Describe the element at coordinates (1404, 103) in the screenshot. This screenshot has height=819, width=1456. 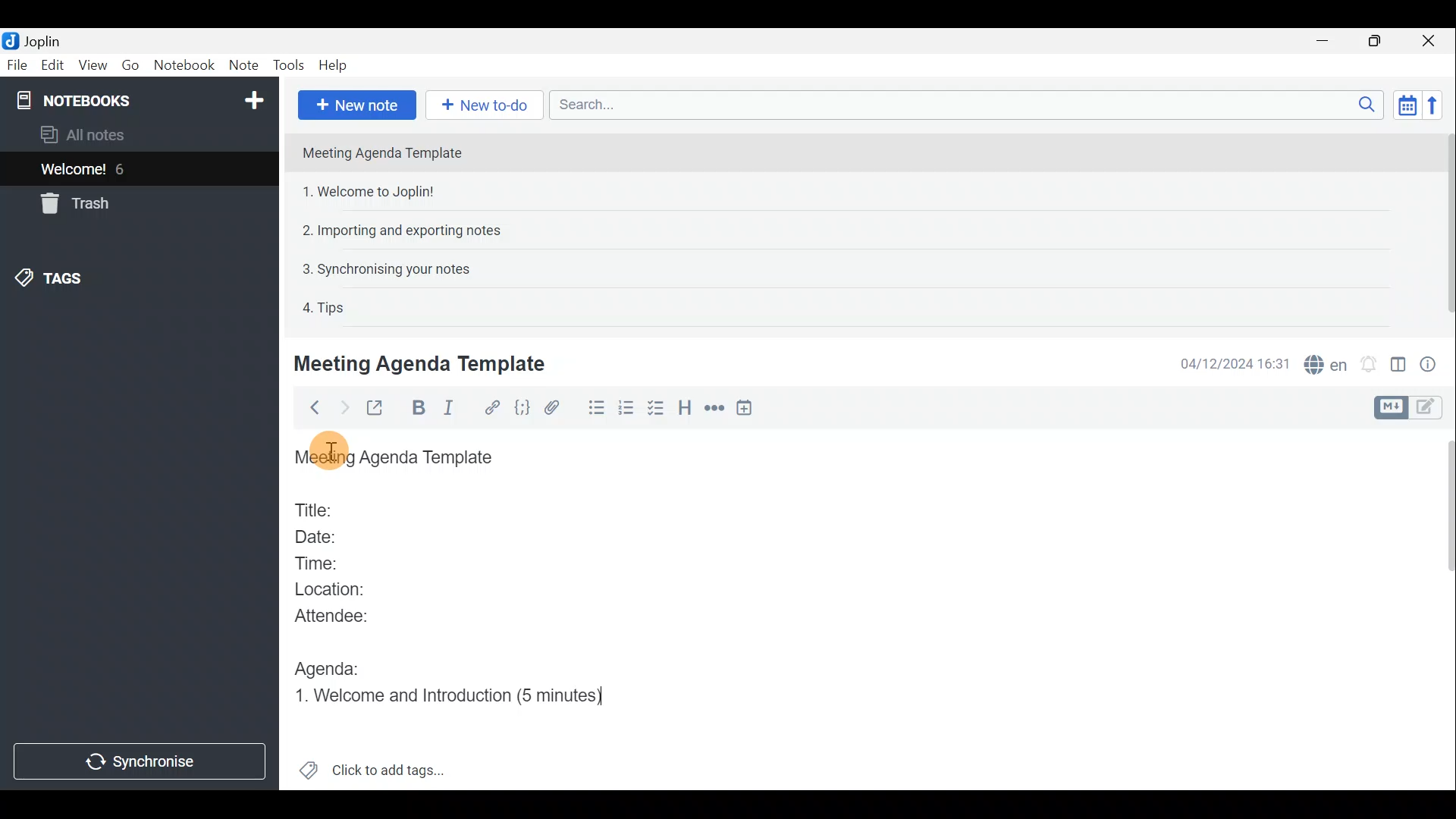
I see `Toggle sort order` at that location.